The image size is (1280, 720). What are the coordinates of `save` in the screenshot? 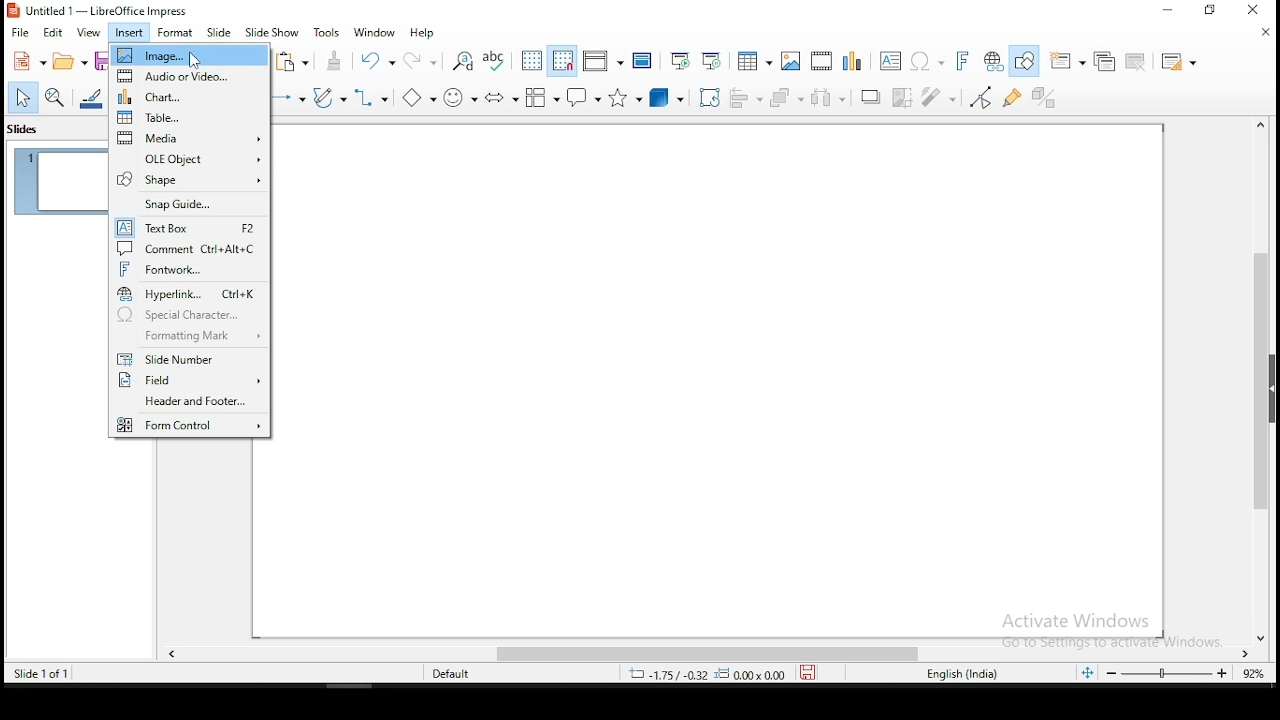 It's located at (814, 674).